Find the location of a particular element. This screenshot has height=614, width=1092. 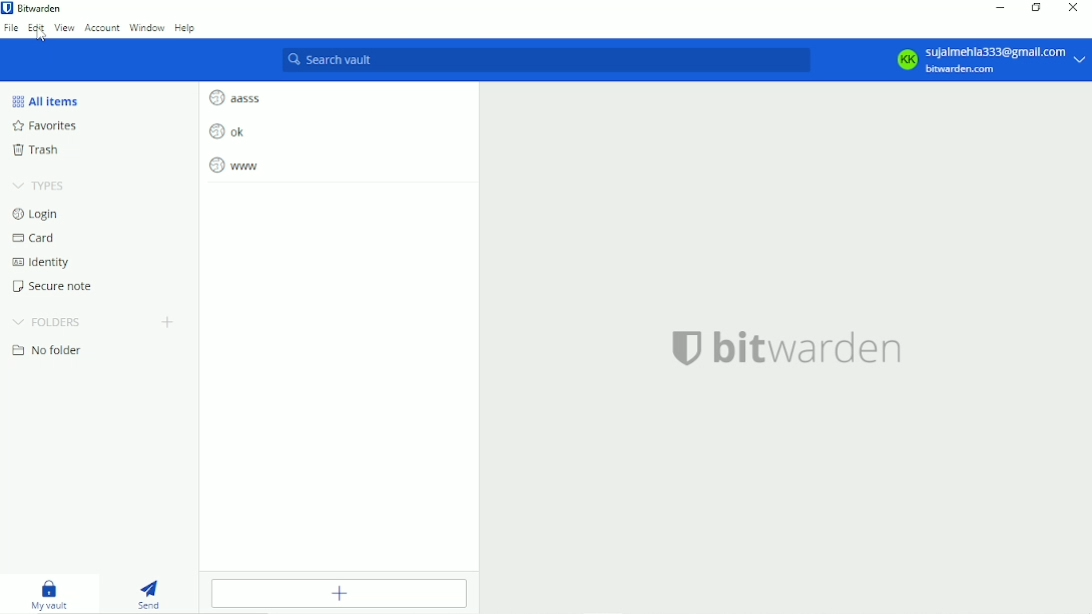

Types is located at coordinates (40, 184).